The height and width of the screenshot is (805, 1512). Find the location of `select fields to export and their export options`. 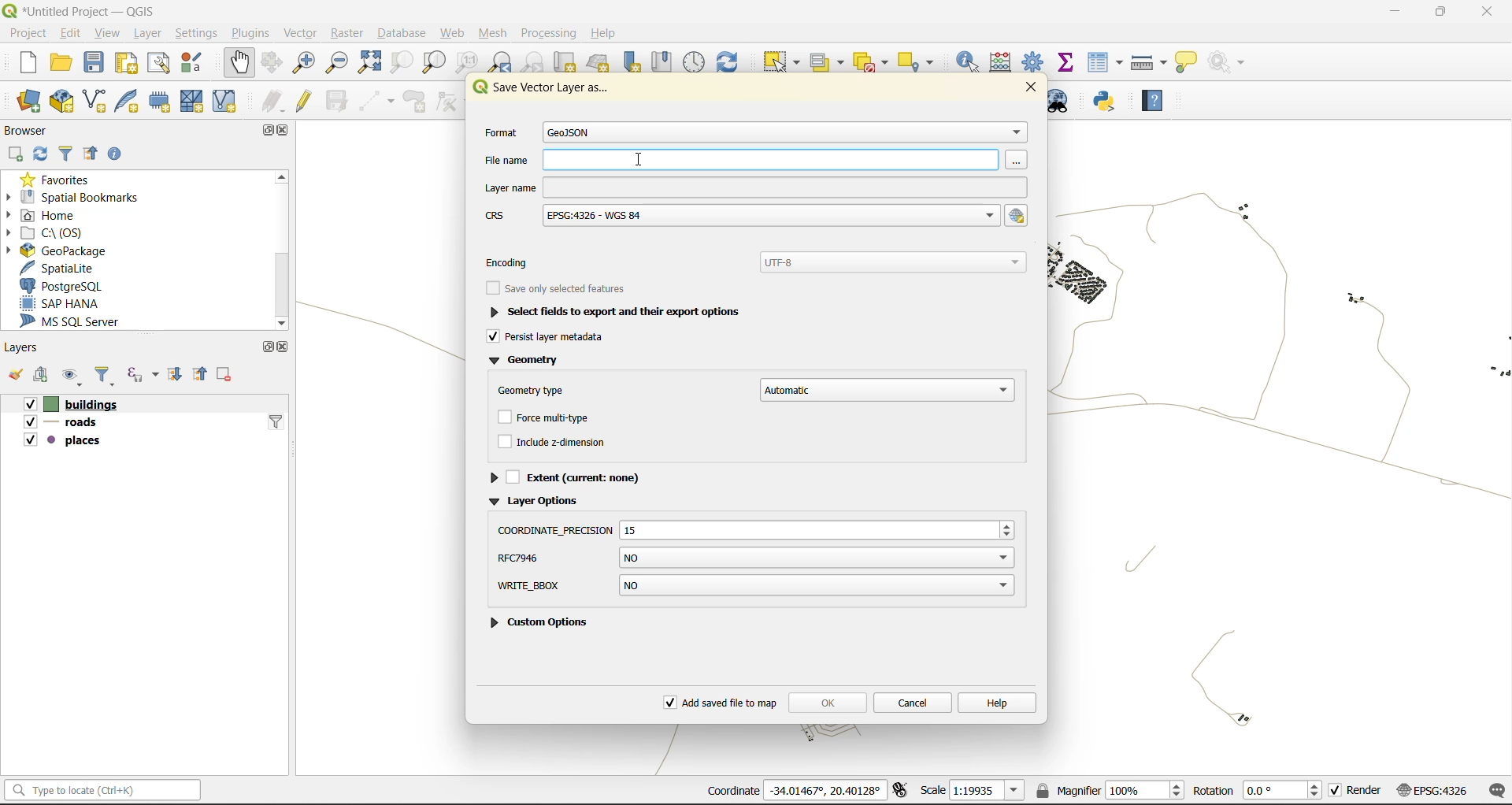

select fields to export and their export options is located at coordinates (611, 311).